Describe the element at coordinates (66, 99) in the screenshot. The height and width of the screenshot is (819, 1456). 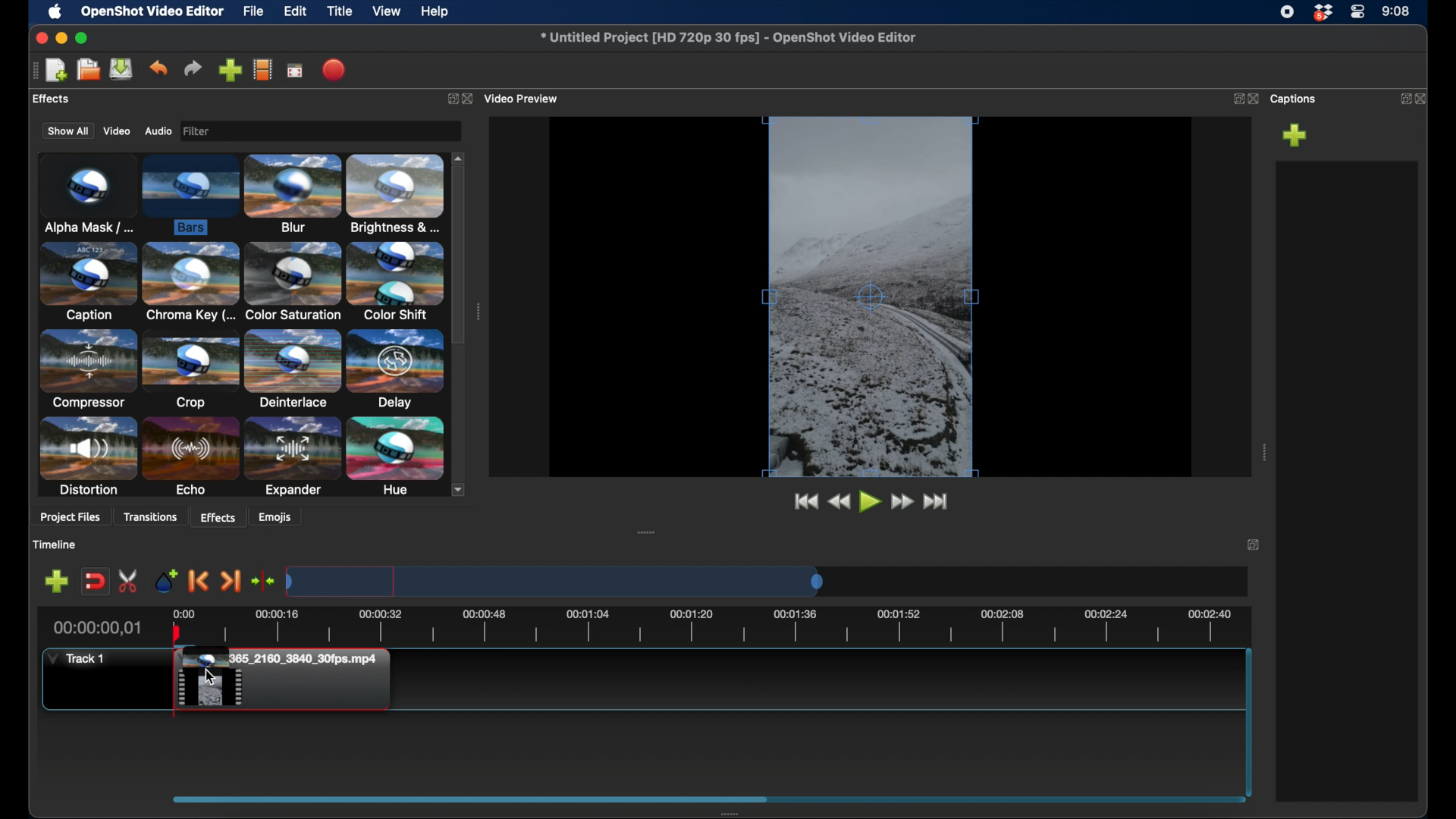
I see `project files` at that location.